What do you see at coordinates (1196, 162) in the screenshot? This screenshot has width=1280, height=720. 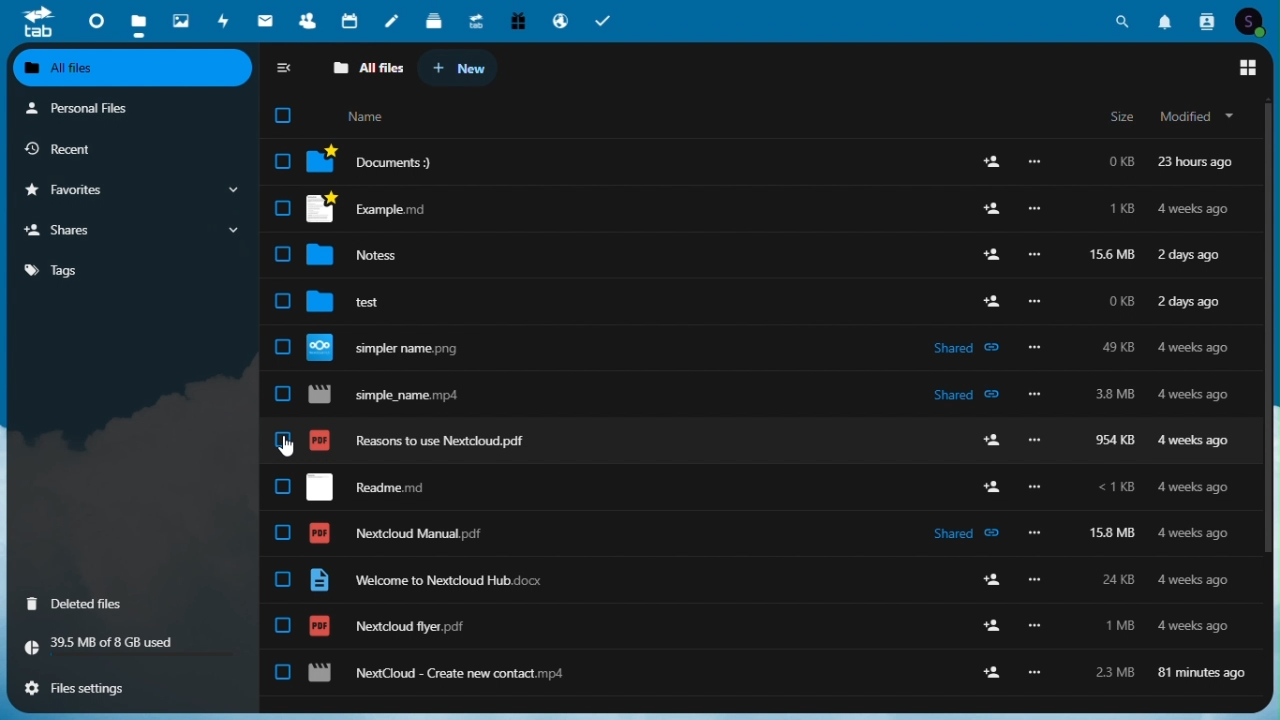 I see `23 hours ago` at bounding box center [1196, 162].